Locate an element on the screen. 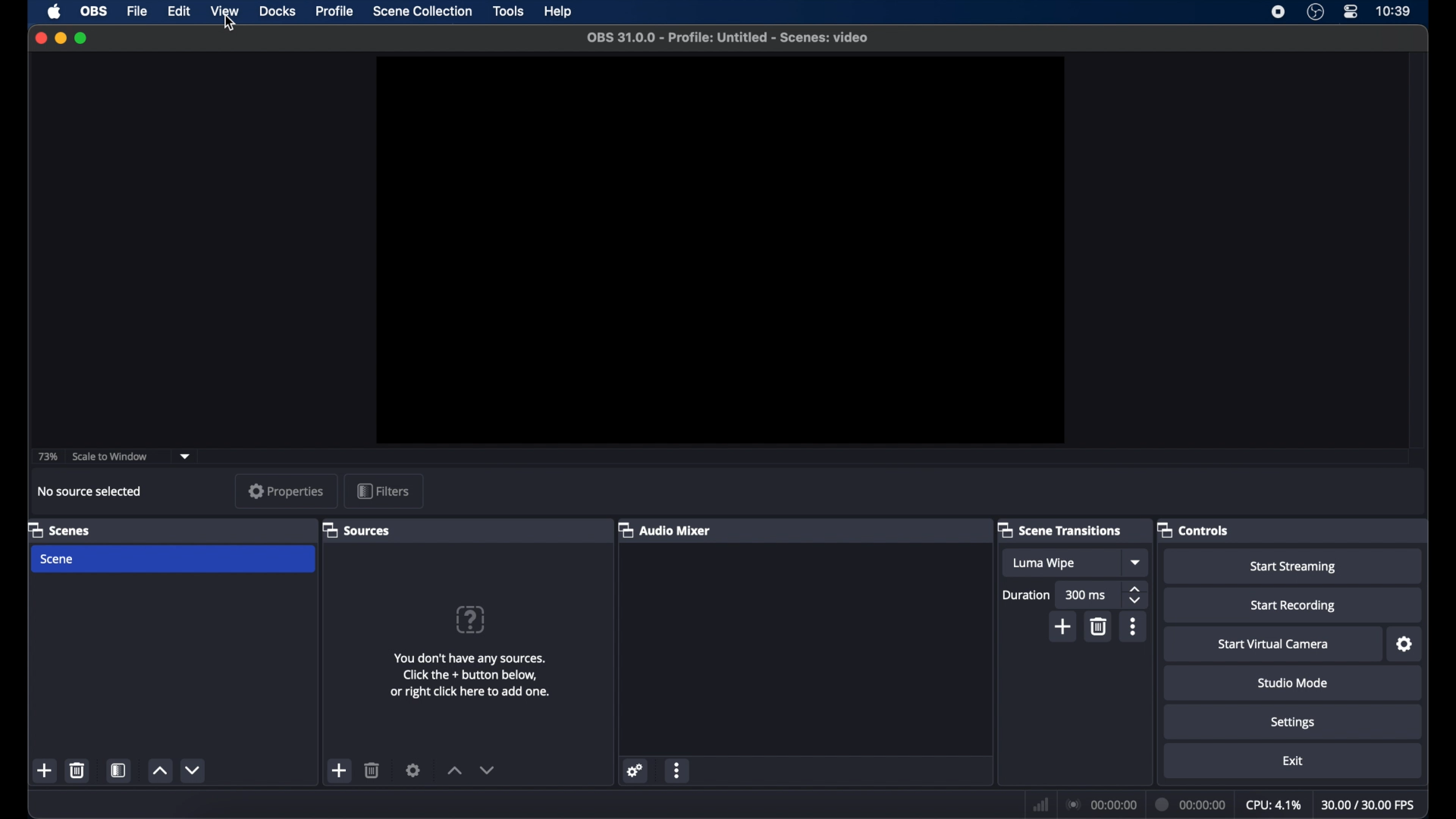 The height and width of the screenshot is (819, 1456). no source selected is located at coordinates (89, 491).